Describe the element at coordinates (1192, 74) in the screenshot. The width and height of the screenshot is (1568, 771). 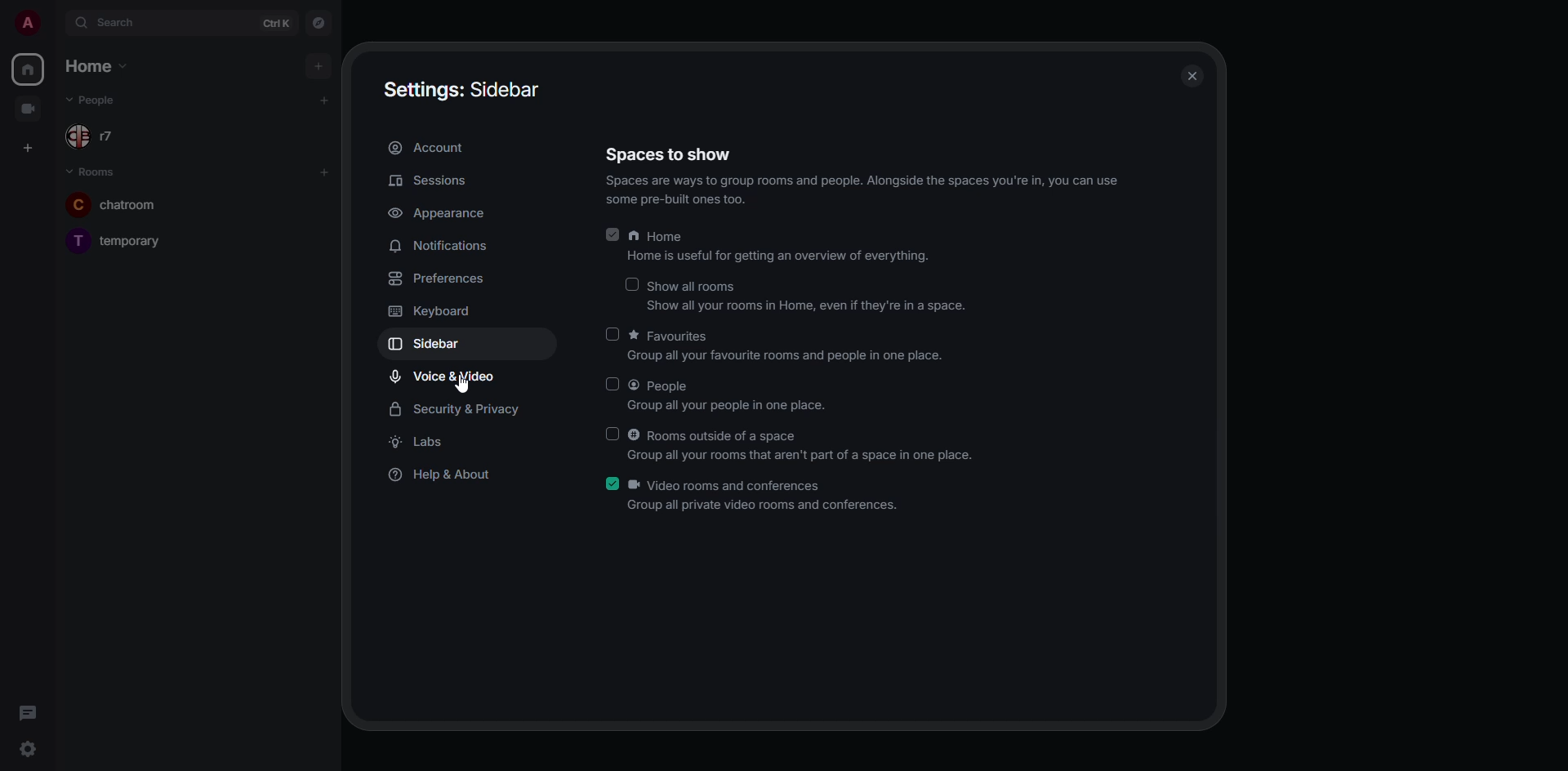
I see `close` at that location.